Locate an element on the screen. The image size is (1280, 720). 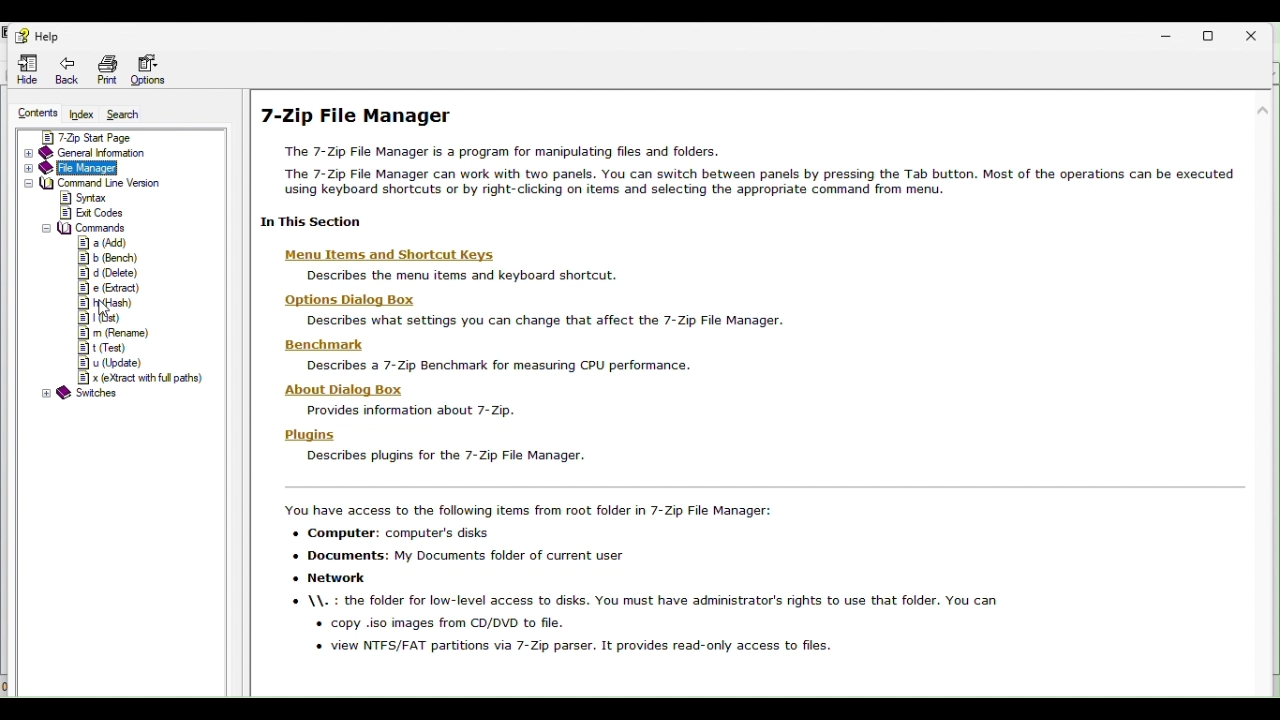
Close is located at coordinates (1259, 31).